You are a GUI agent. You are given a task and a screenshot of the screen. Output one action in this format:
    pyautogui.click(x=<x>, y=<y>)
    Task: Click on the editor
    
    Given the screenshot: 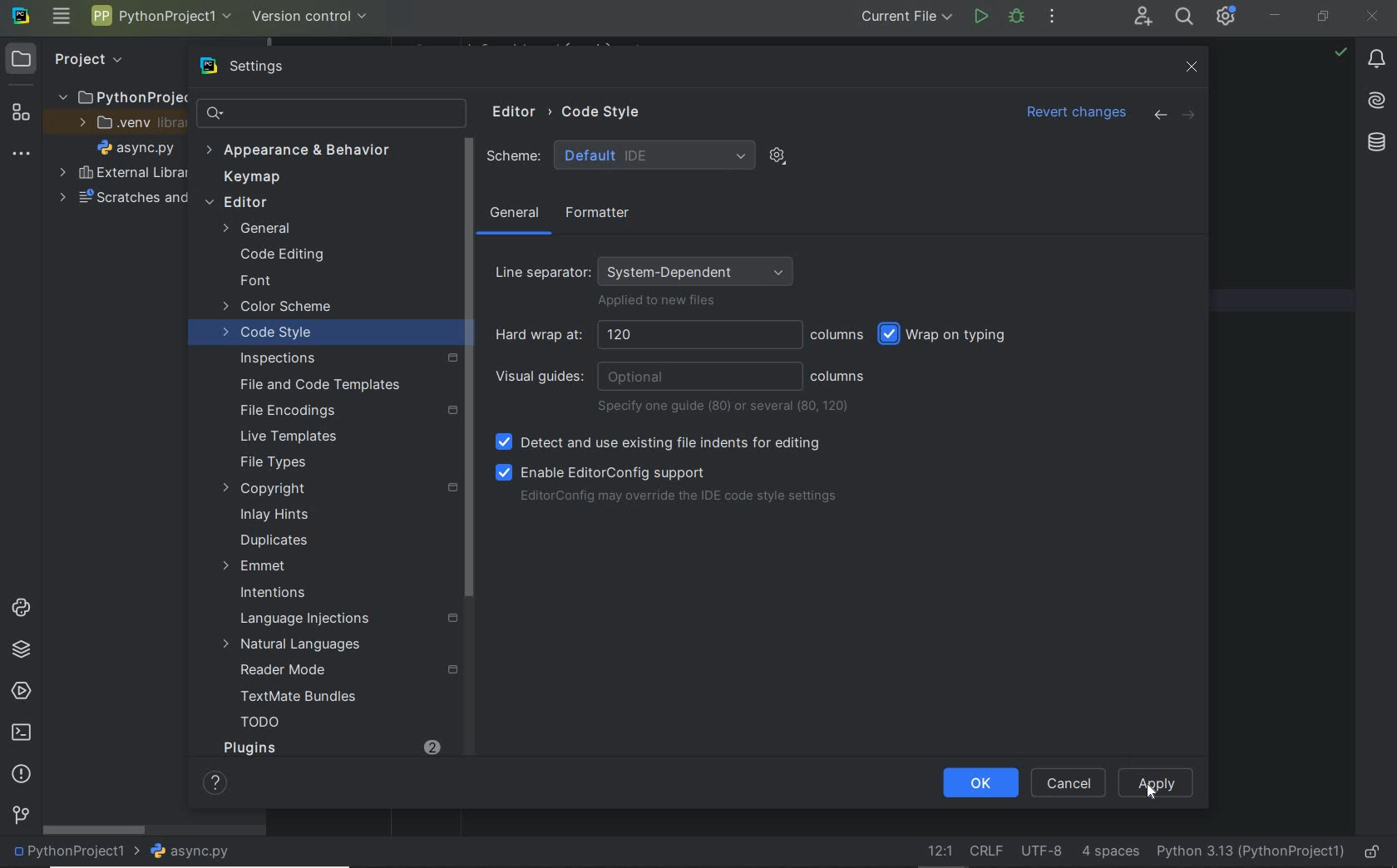 What is the action you would take?
    pyautogui.click(x=309, y=204)
    